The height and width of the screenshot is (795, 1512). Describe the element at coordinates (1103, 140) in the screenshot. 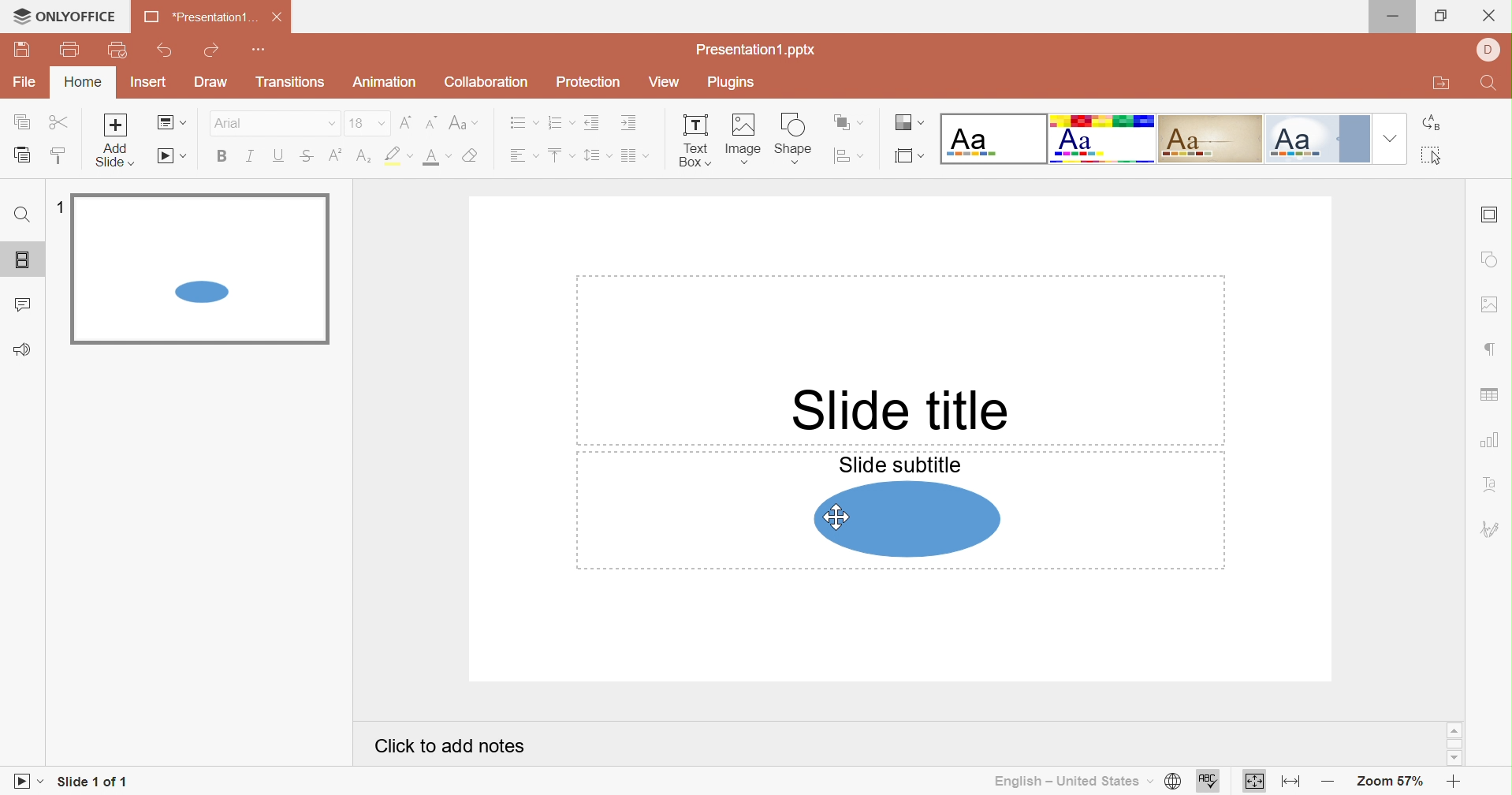

I see `Basic` at that location.